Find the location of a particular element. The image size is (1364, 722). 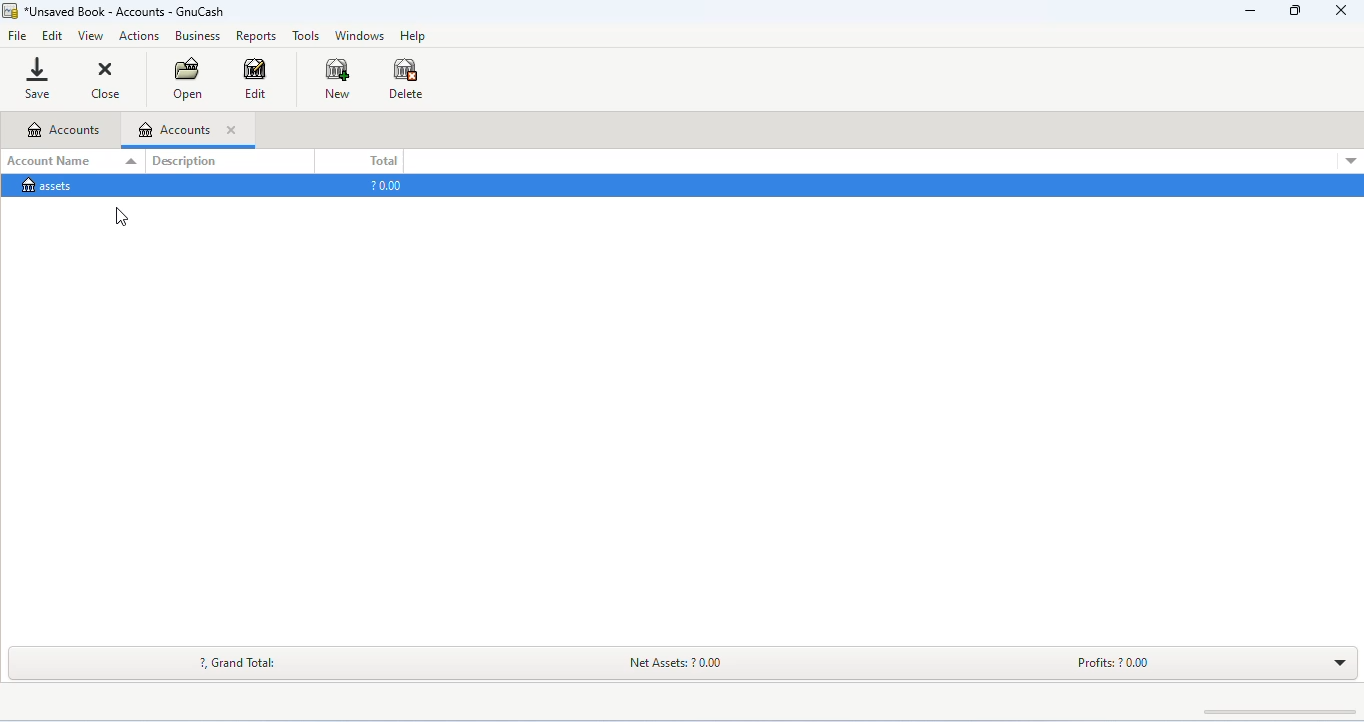

close is located at coordinates (1340, 11).